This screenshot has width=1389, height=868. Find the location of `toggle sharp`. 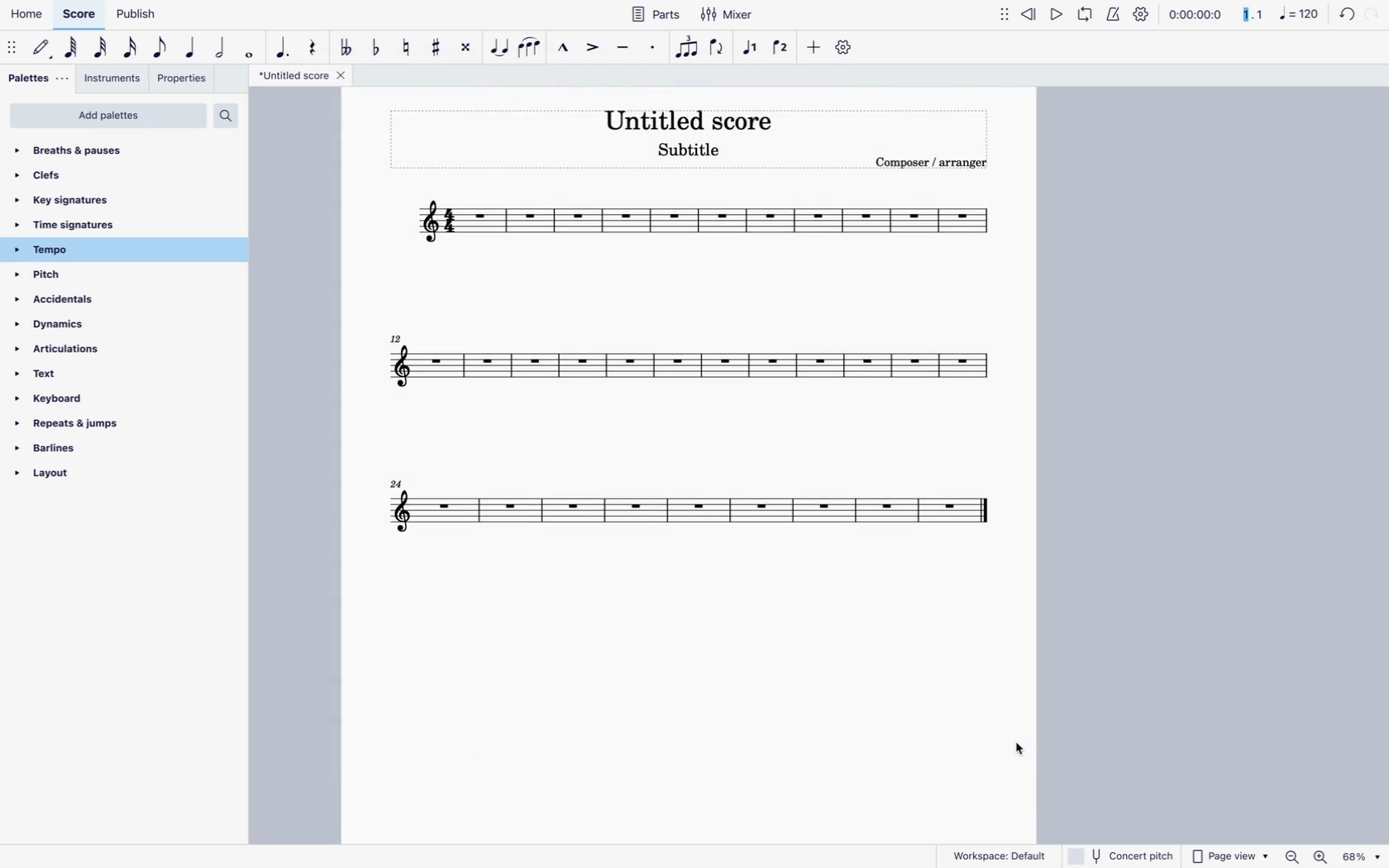

toggle sharp is located at coordinates (438, 46).